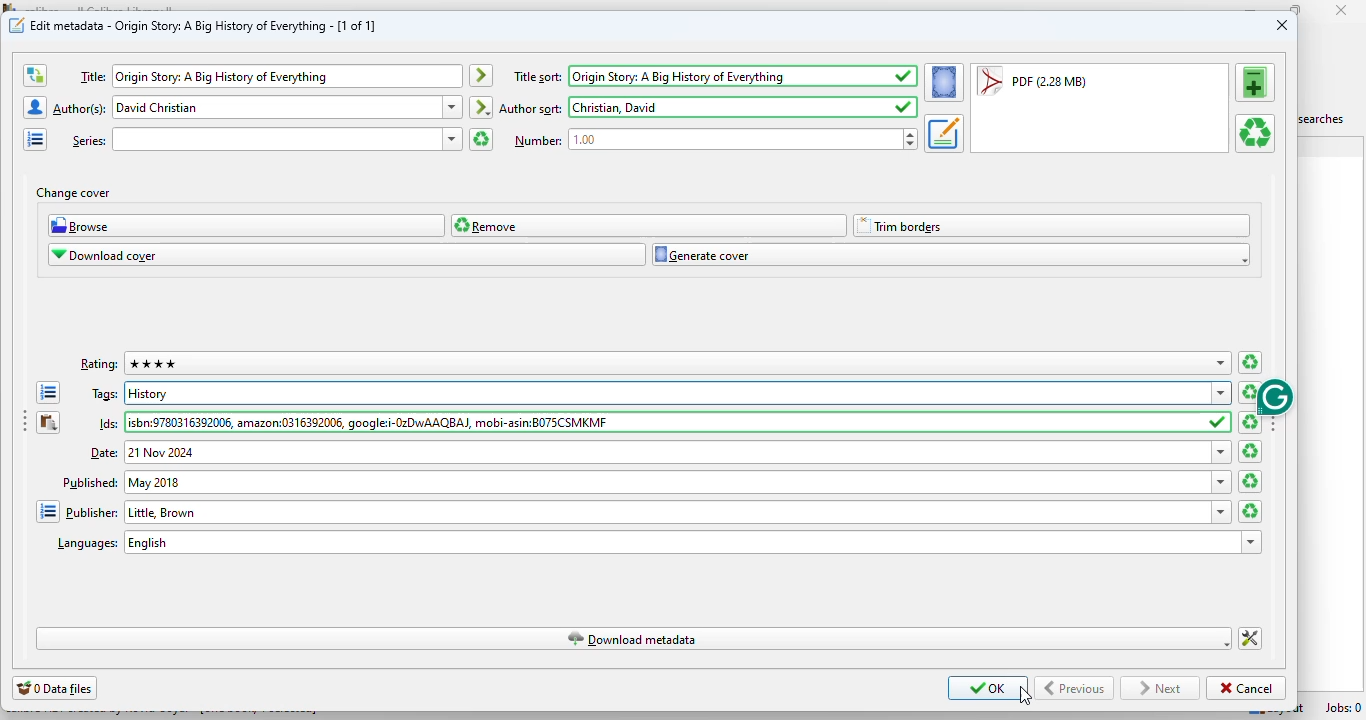  I want to click on saved, so click(904, 107).